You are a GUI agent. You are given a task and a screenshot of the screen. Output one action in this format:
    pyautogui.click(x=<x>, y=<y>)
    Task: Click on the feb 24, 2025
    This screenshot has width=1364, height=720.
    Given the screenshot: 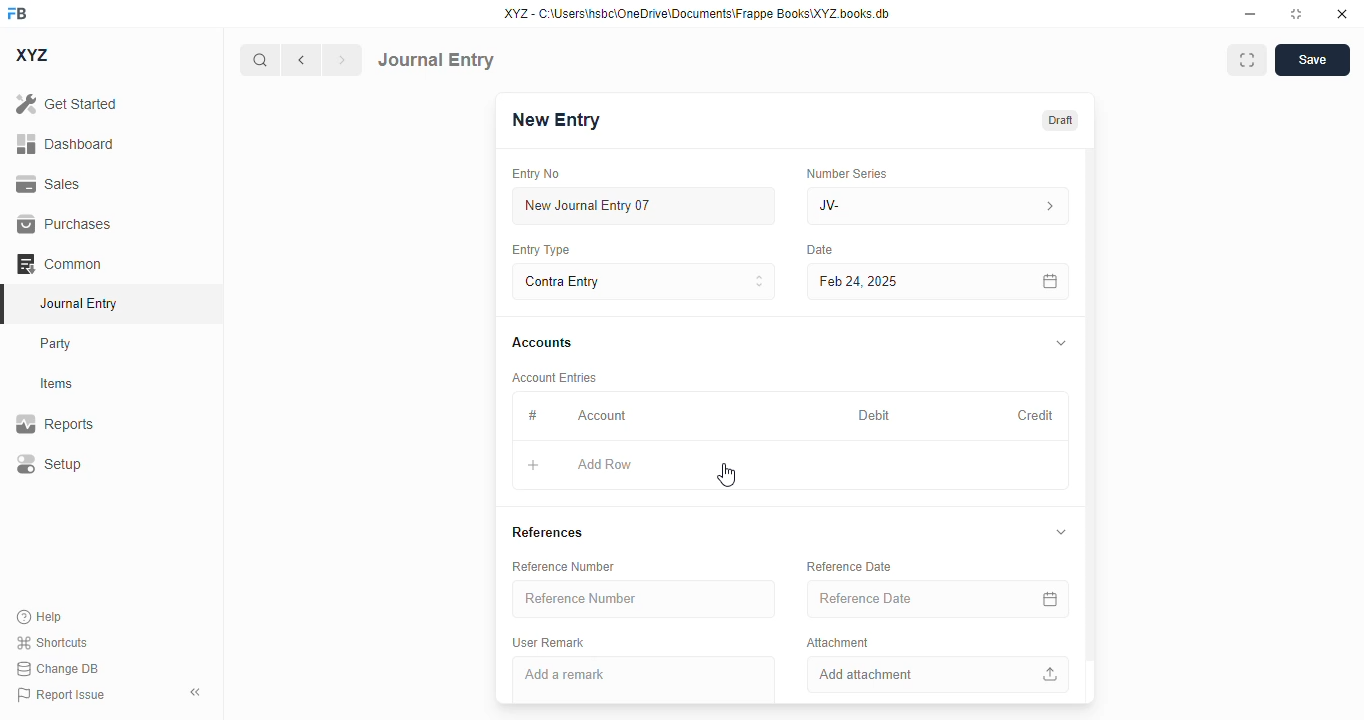 What is the action you would take?
    pyautogui.click(x=895, y=282)
    